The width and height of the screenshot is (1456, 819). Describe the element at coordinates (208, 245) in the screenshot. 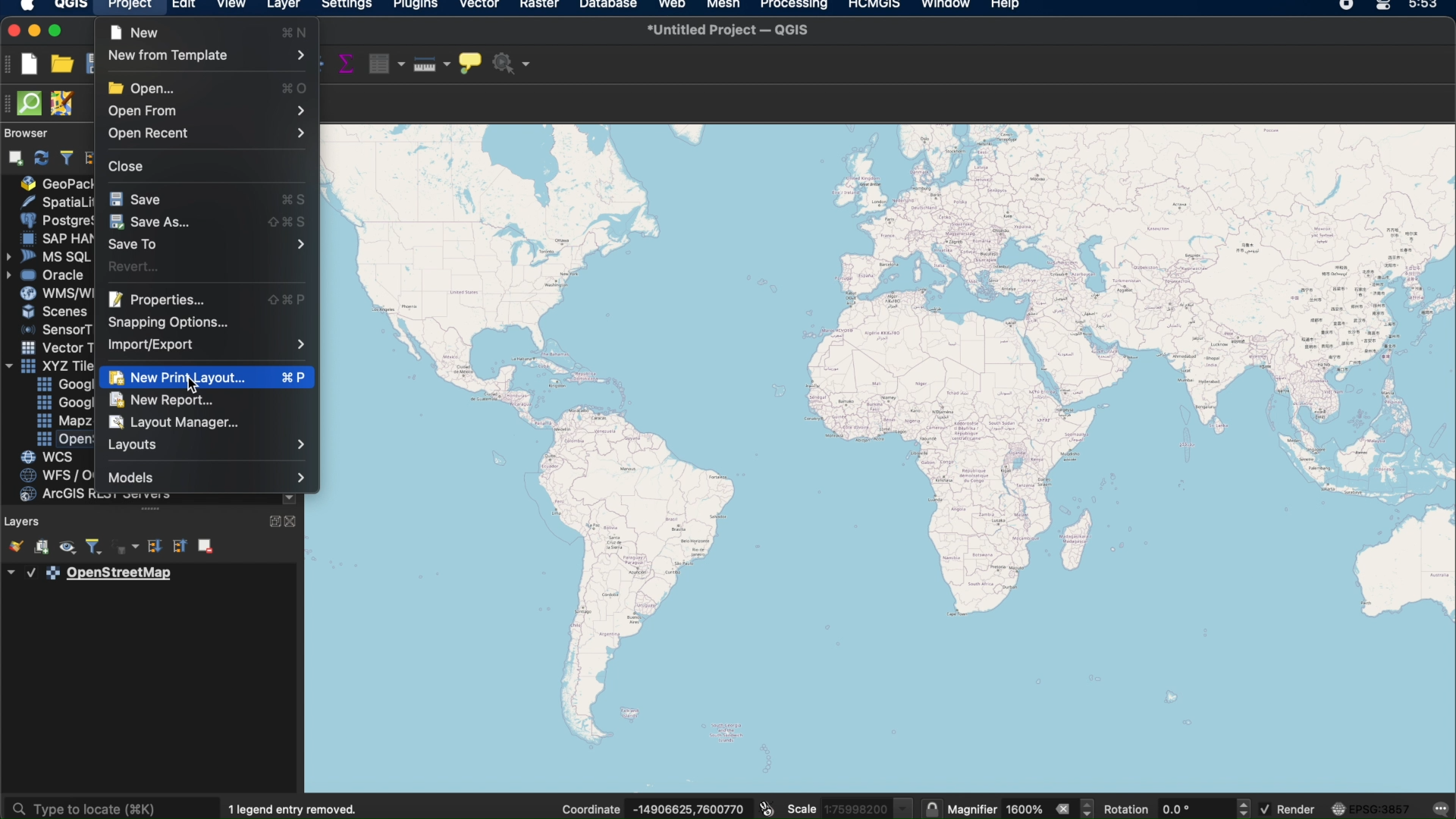

I see `Save To ` at that location.